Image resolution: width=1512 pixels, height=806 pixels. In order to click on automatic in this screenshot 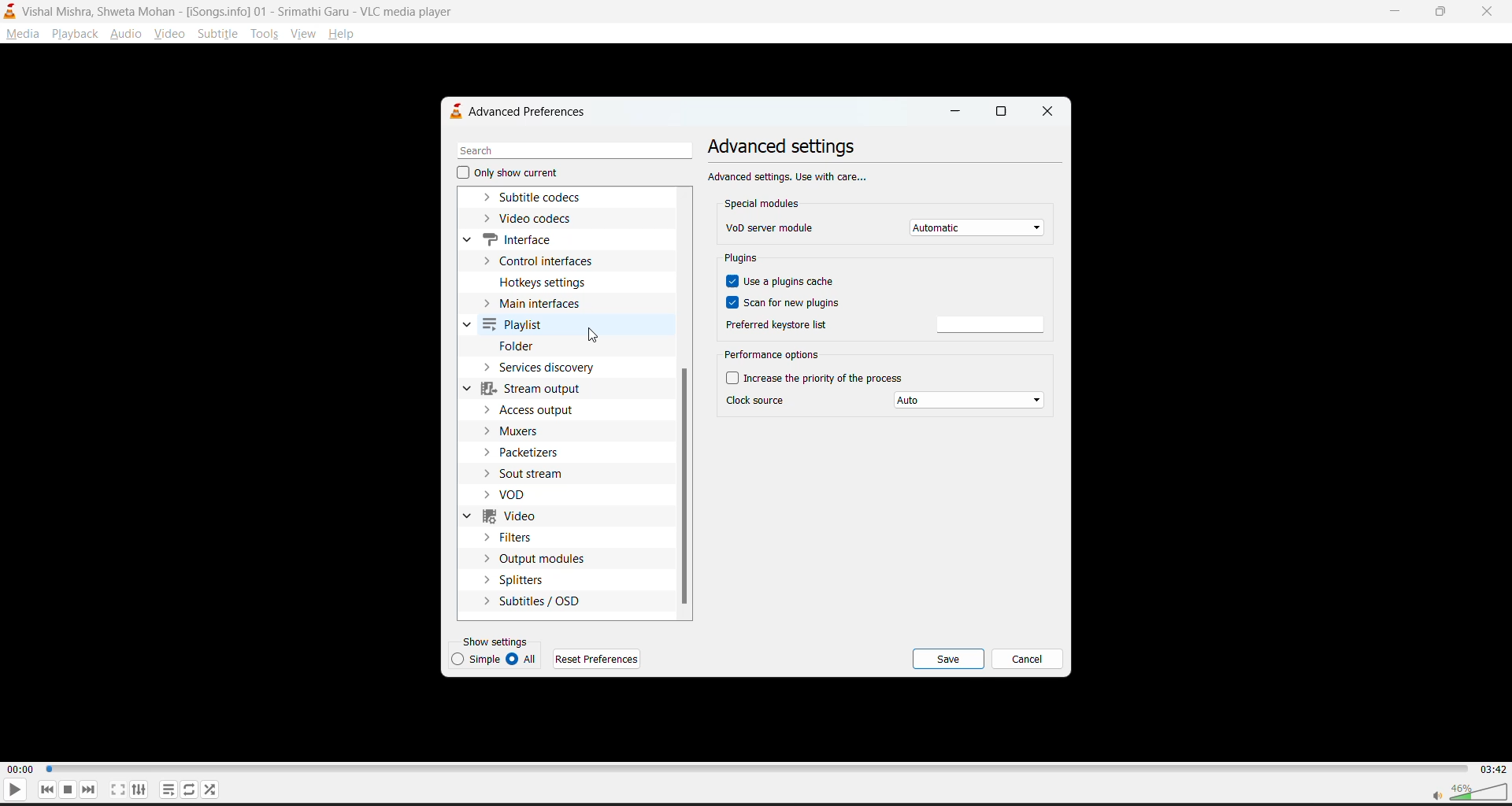, I will do `click(979, 228)`.